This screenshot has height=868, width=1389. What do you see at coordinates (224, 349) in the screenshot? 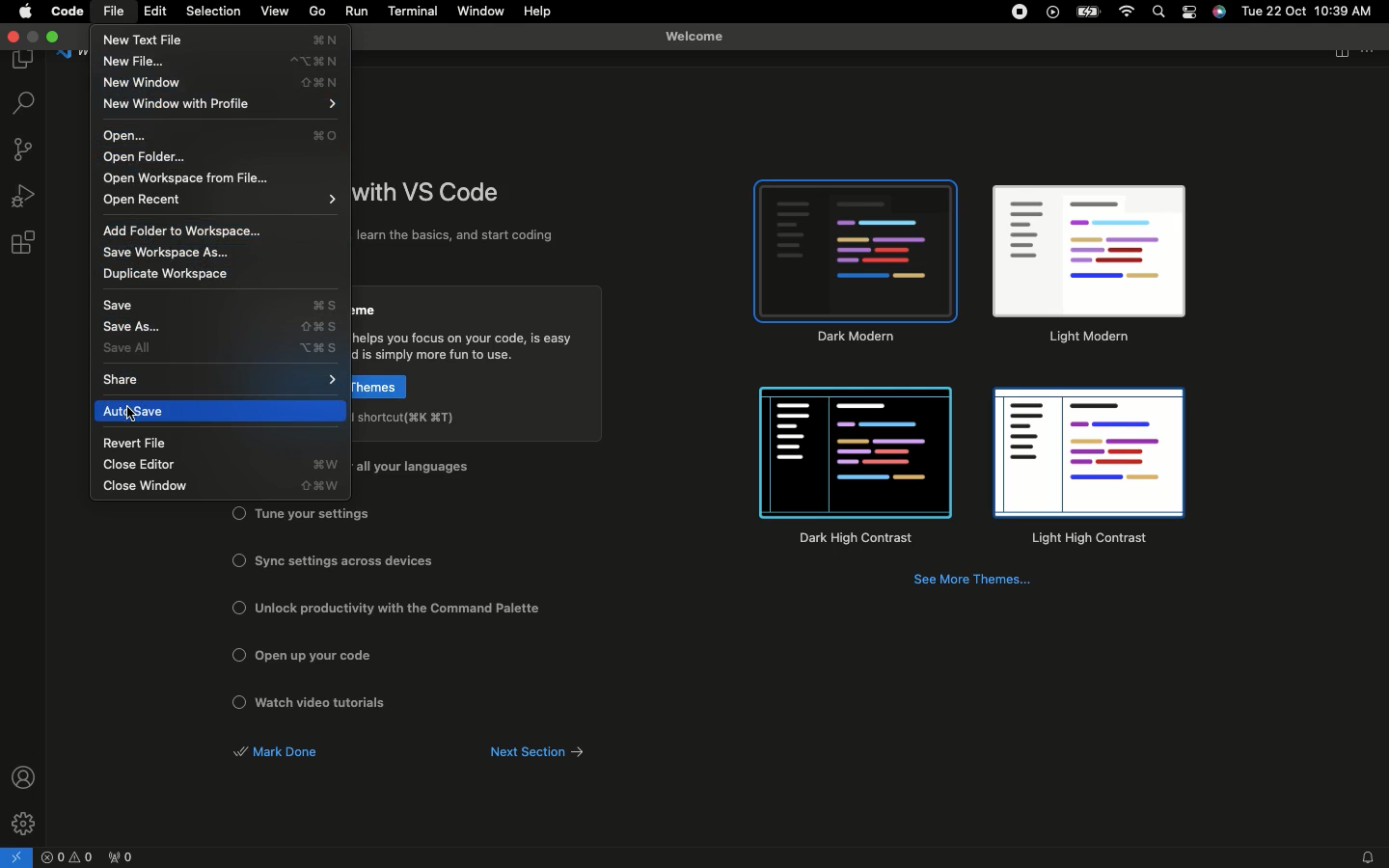
I see `Save all` at bounding box center [224, 349].